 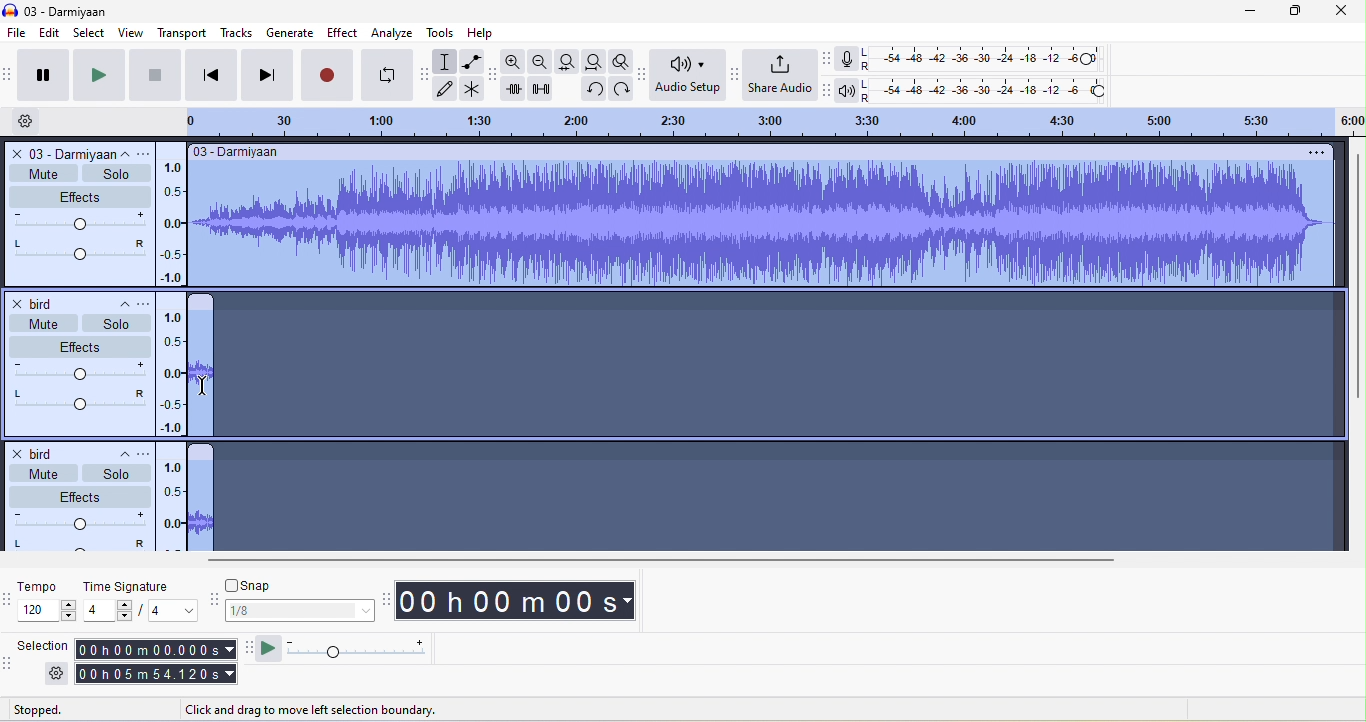 I want to click on record meter, so click(x=847, y=62).